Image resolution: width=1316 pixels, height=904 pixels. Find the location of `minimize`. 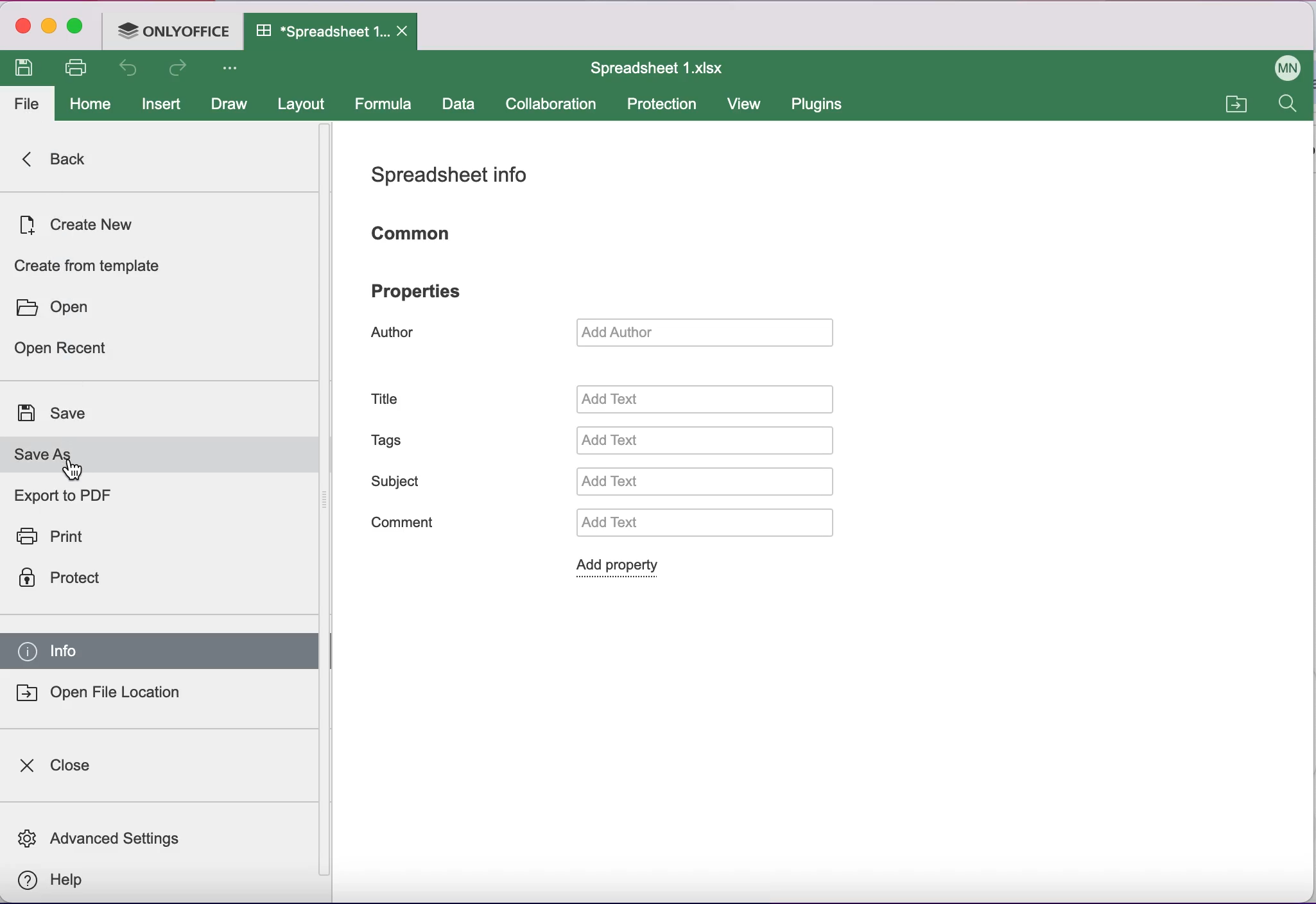

minimize is located at coordinates (49, 27).